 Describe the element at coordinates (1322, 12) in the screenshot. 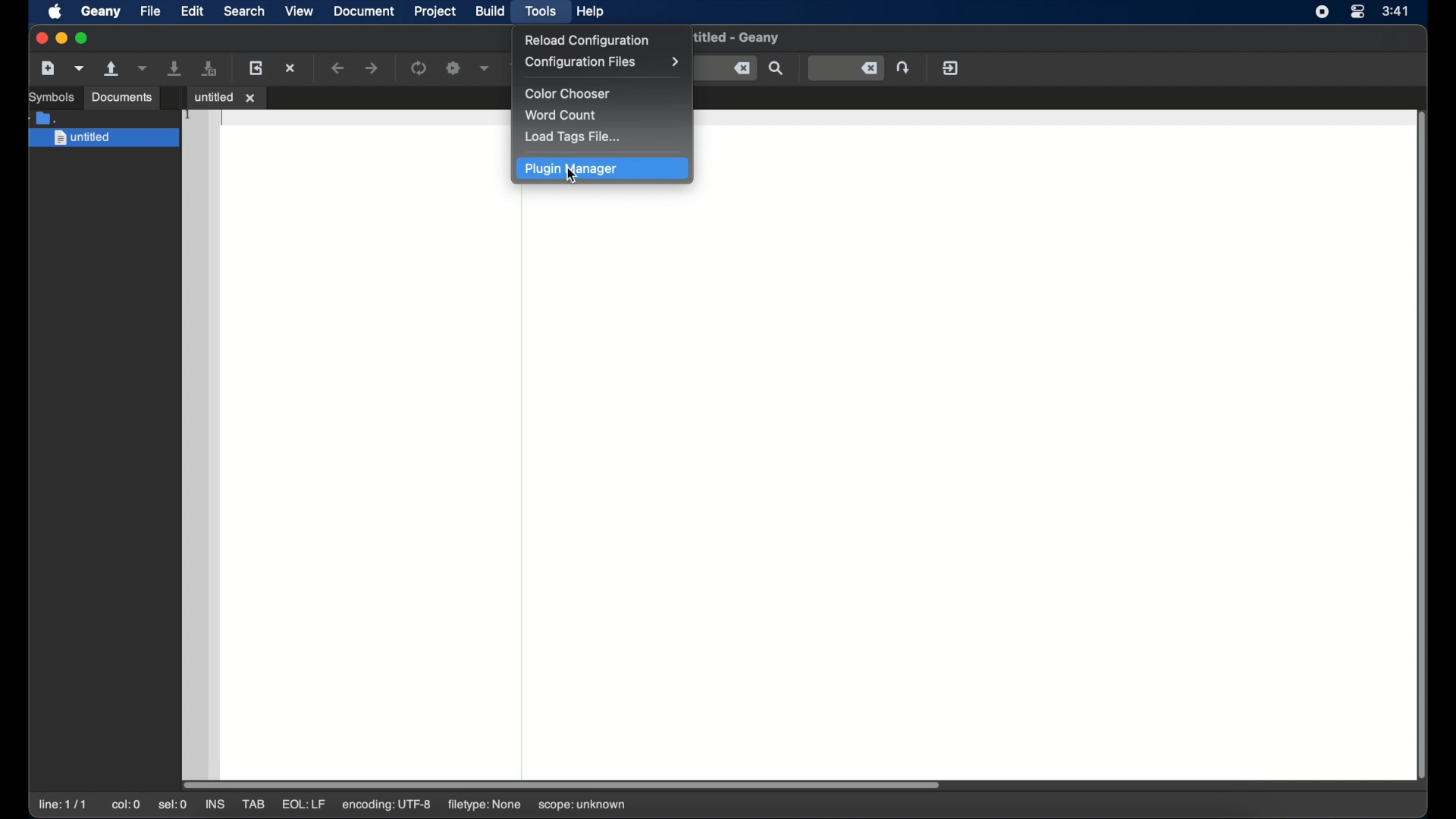

I see `screen recorder icon` at that location.